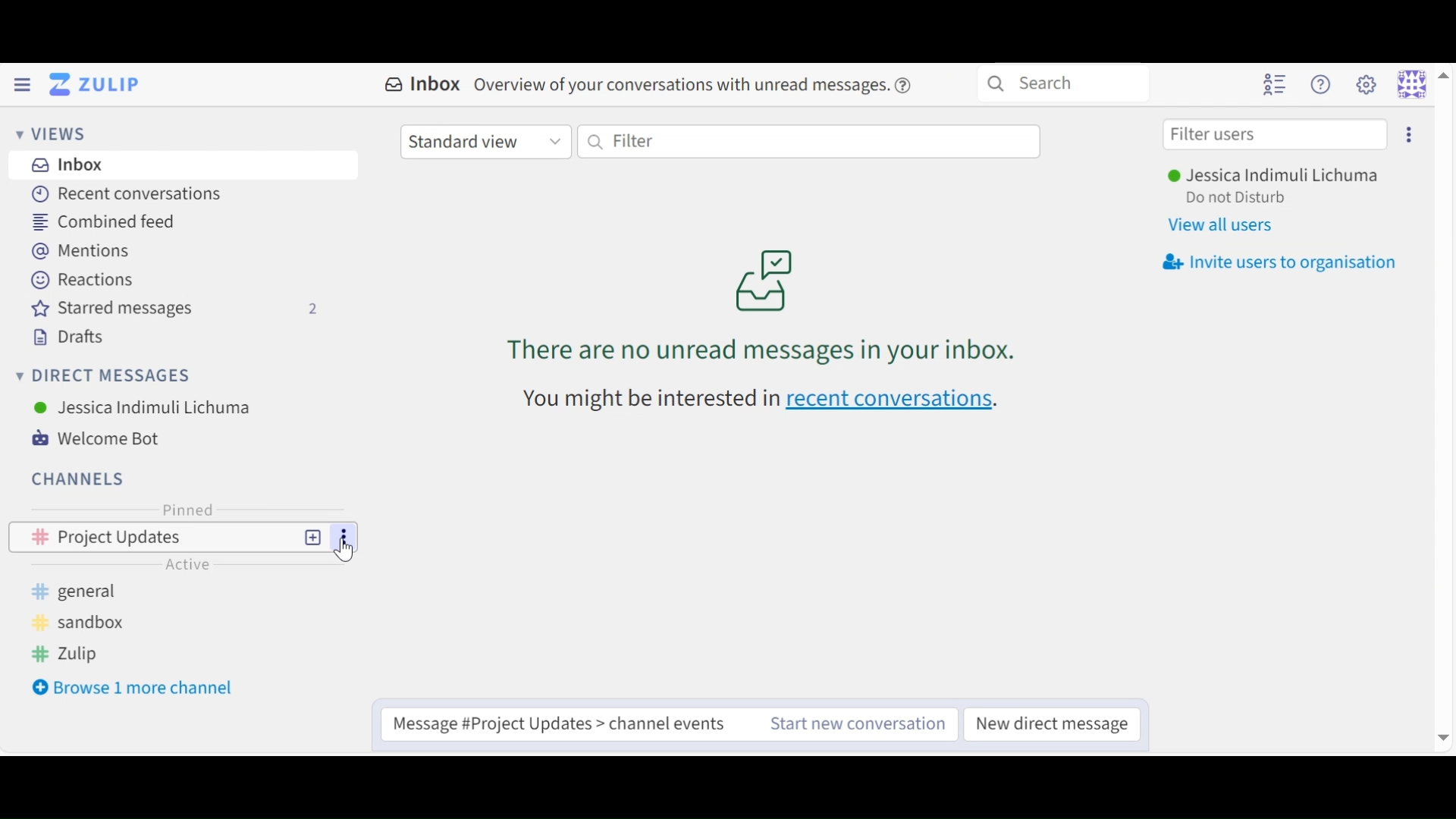 This screenshot has height=819, width=1456. Describe the element at coordinates (1323, 83) in the screenshot. I see `Help menu` at that location.